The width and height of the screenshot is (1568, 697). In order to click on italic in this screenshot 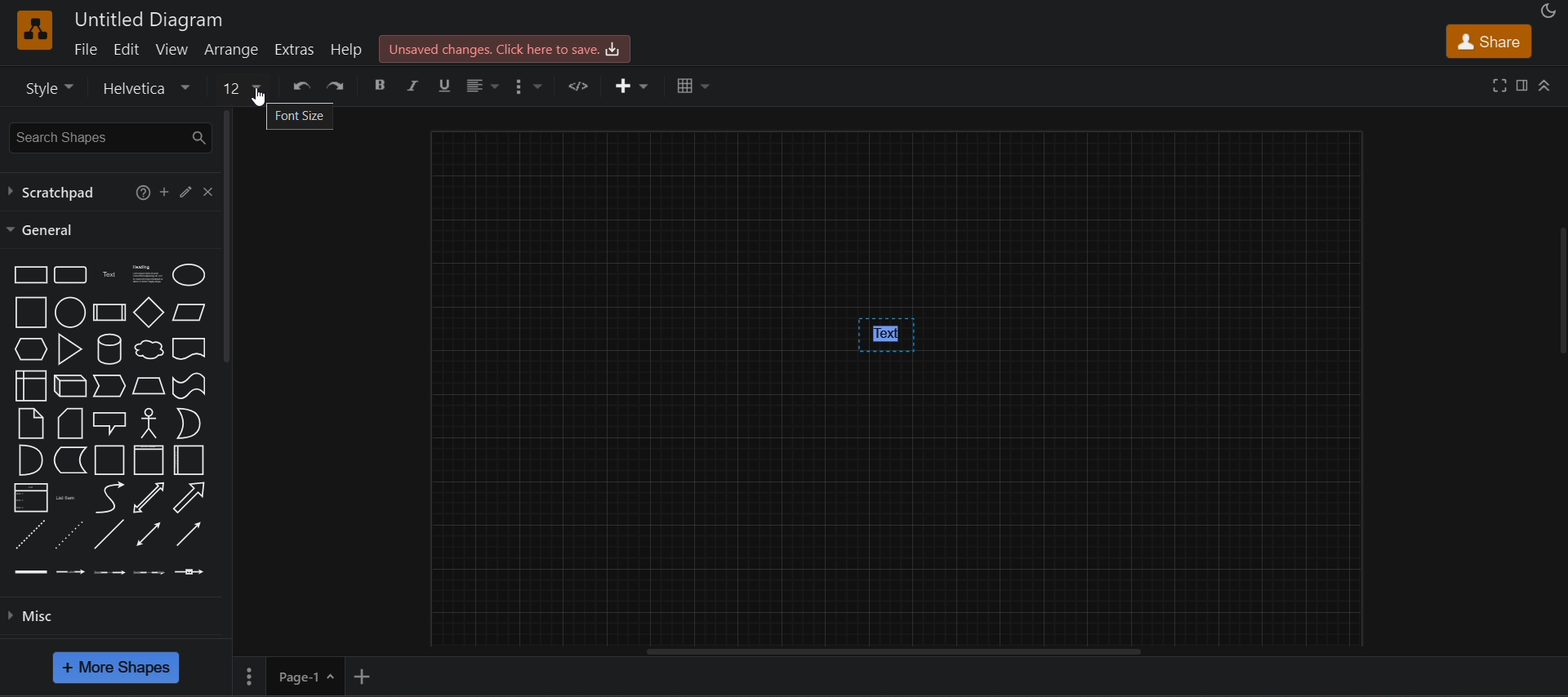, I will do `click(414, 86)`.